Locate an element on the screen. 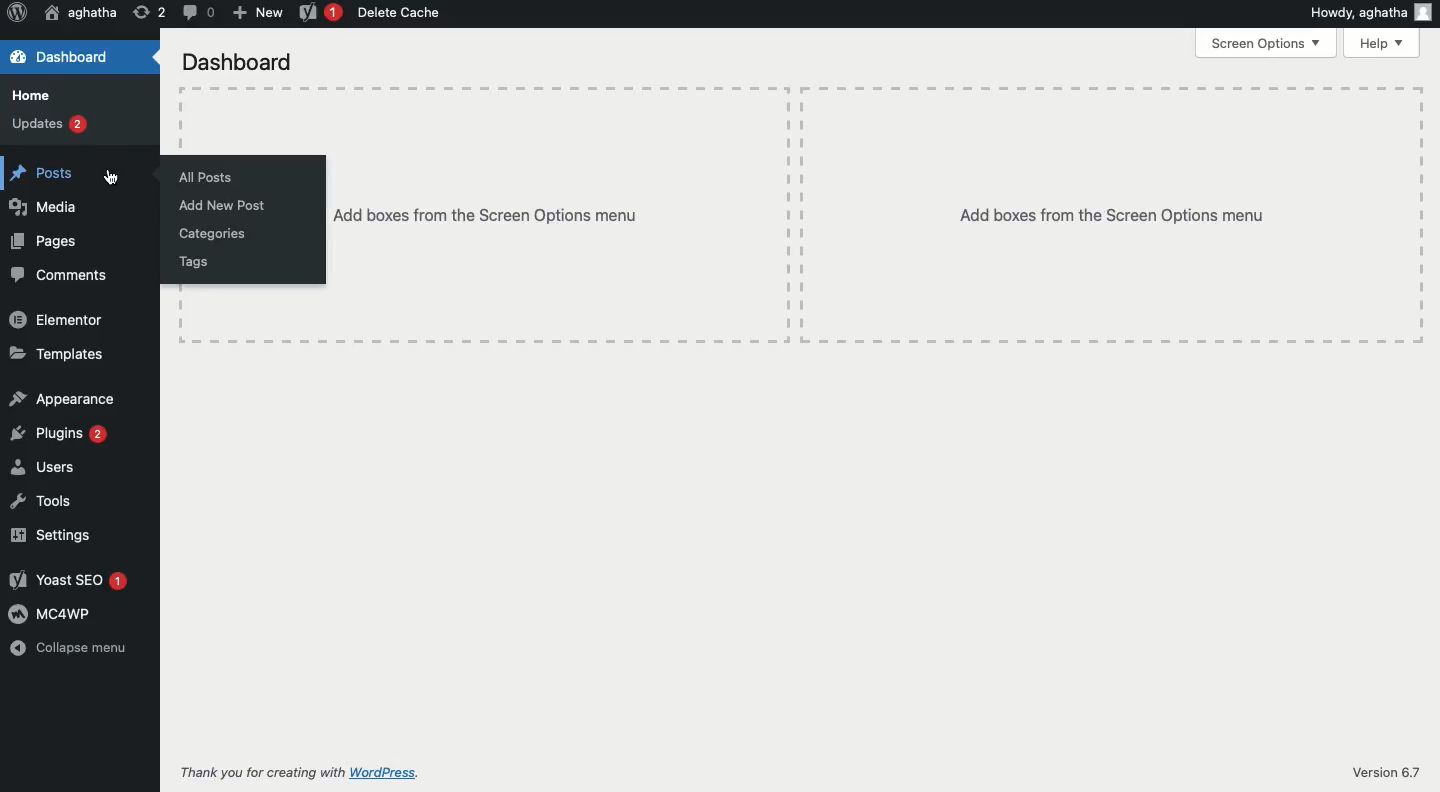 Image resolution: width=1440 pixels, height=792 pixels. MC4WP is located at coordinates (52, 614).